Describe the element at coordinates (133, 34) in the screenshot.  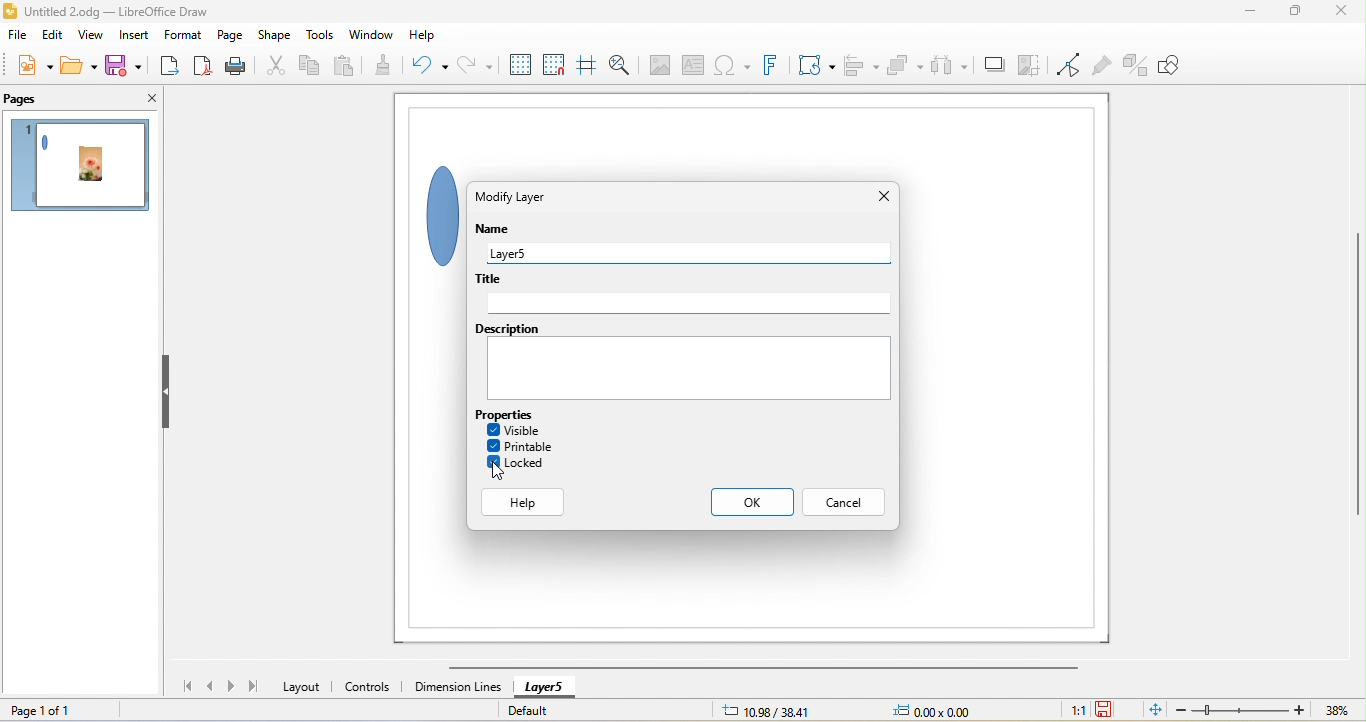
I see `insert` at that location.